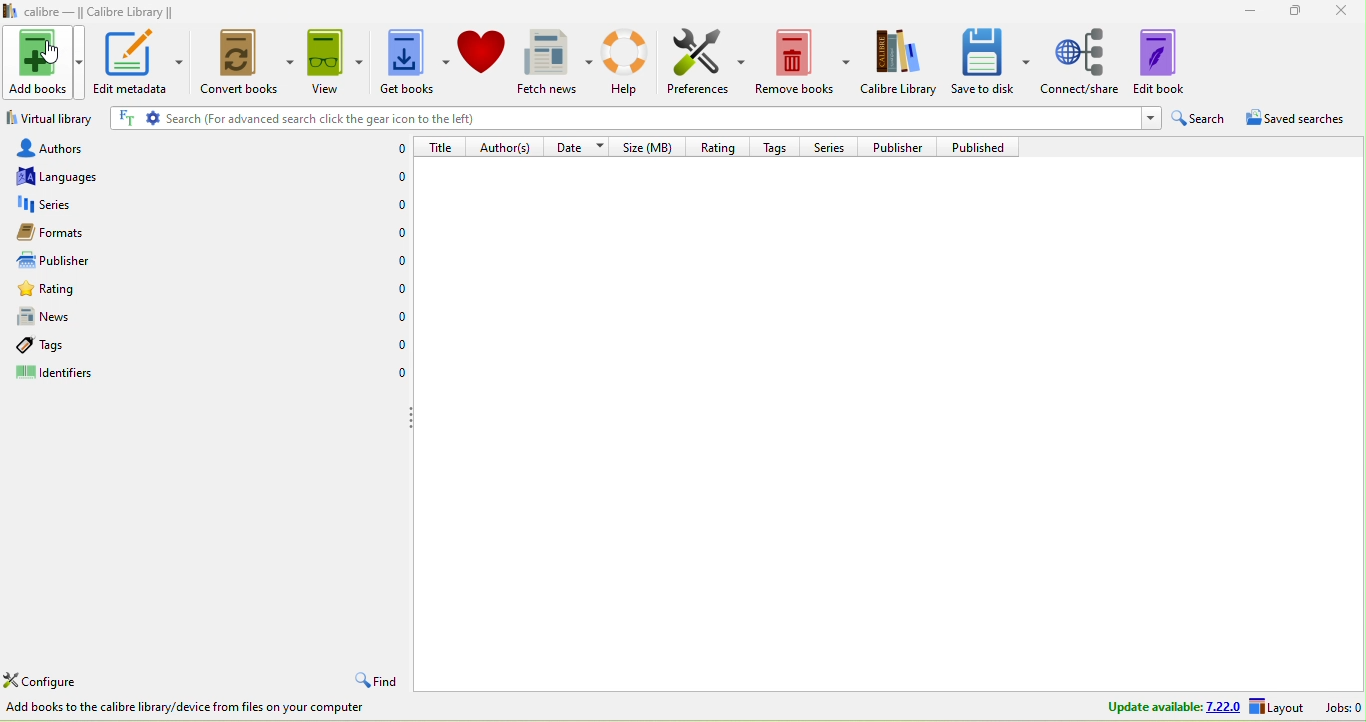  Describe the element at coordinates (99, 179) in the screenshot. I see `languages` at that location.